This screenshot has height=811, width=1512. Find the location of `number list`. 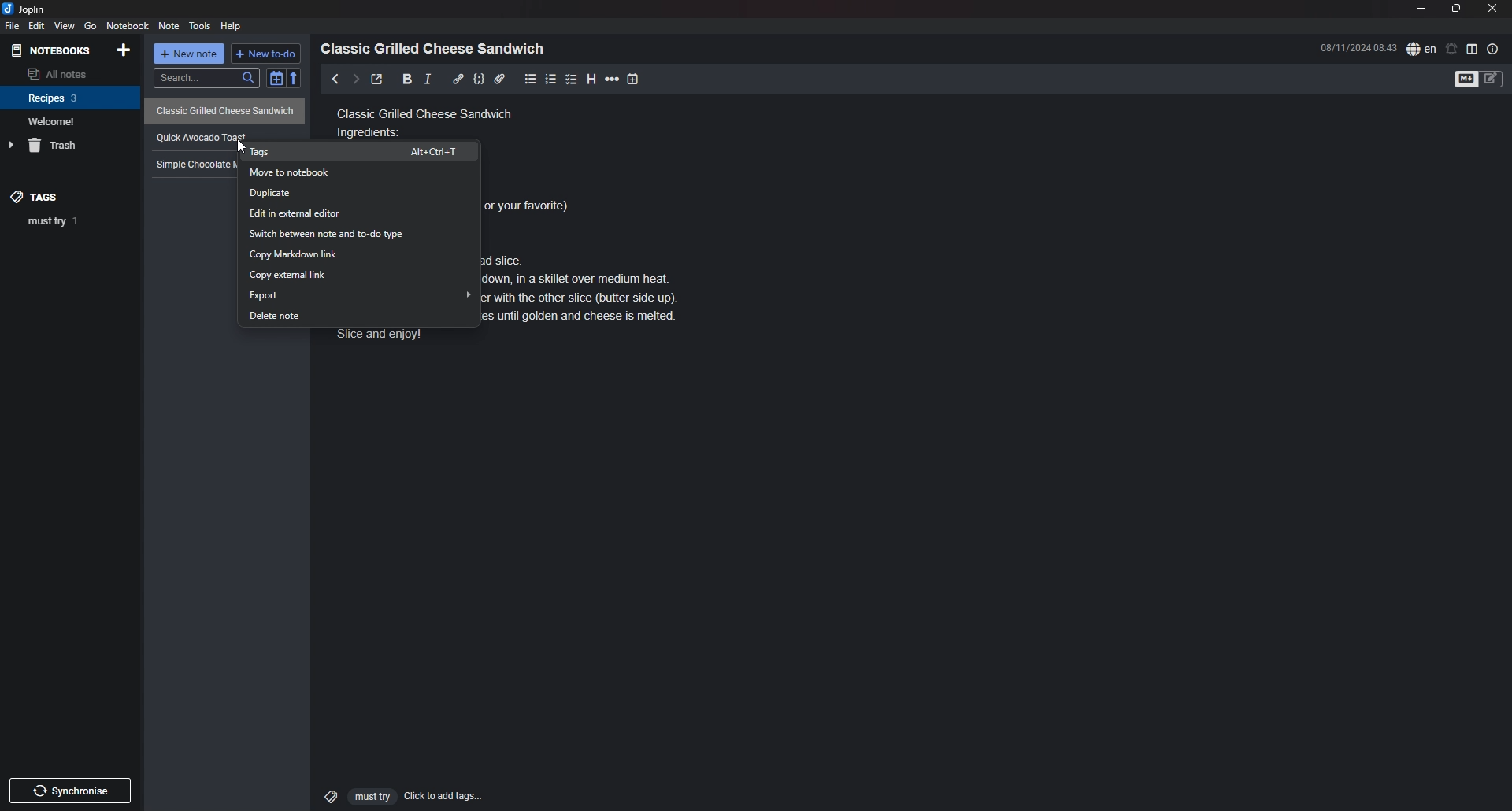

number list is located at coordinates (551, 79).